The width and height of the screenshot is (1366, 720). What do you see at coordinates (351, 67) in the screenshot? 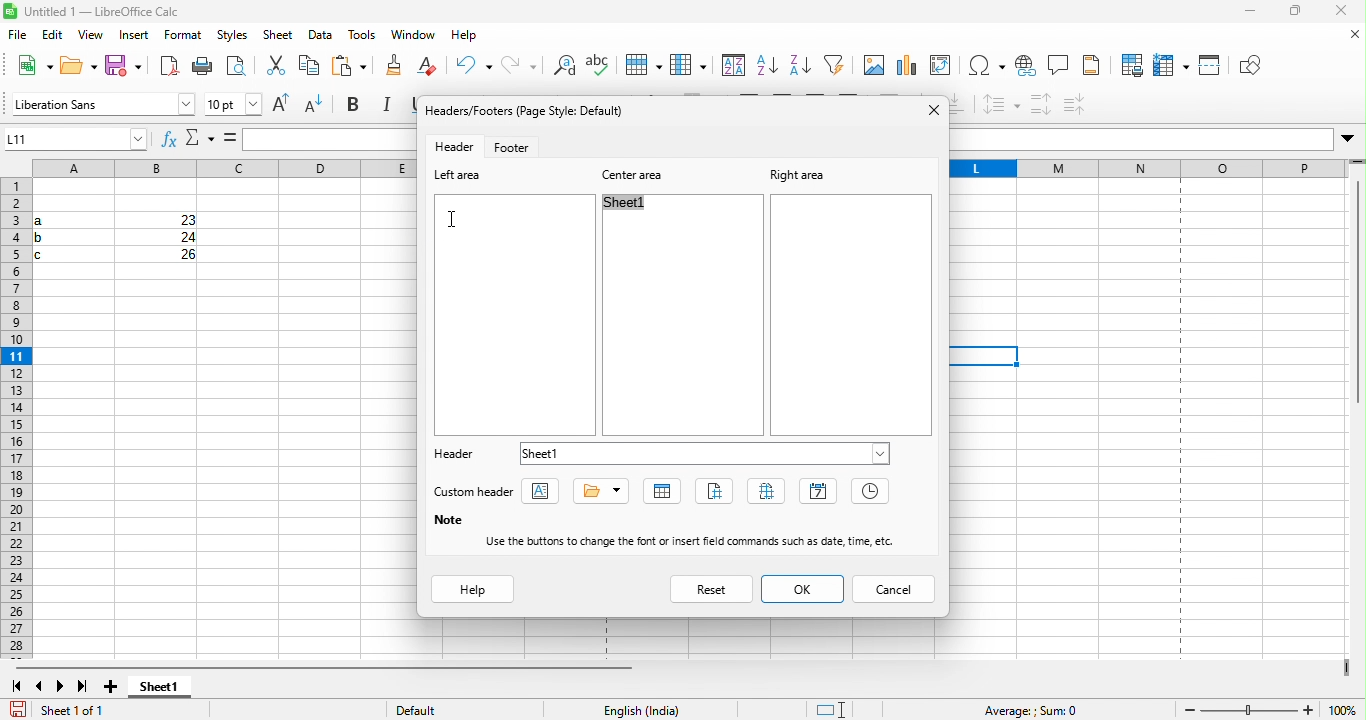
I see `clone formatting` at bounding box center [351, 67].